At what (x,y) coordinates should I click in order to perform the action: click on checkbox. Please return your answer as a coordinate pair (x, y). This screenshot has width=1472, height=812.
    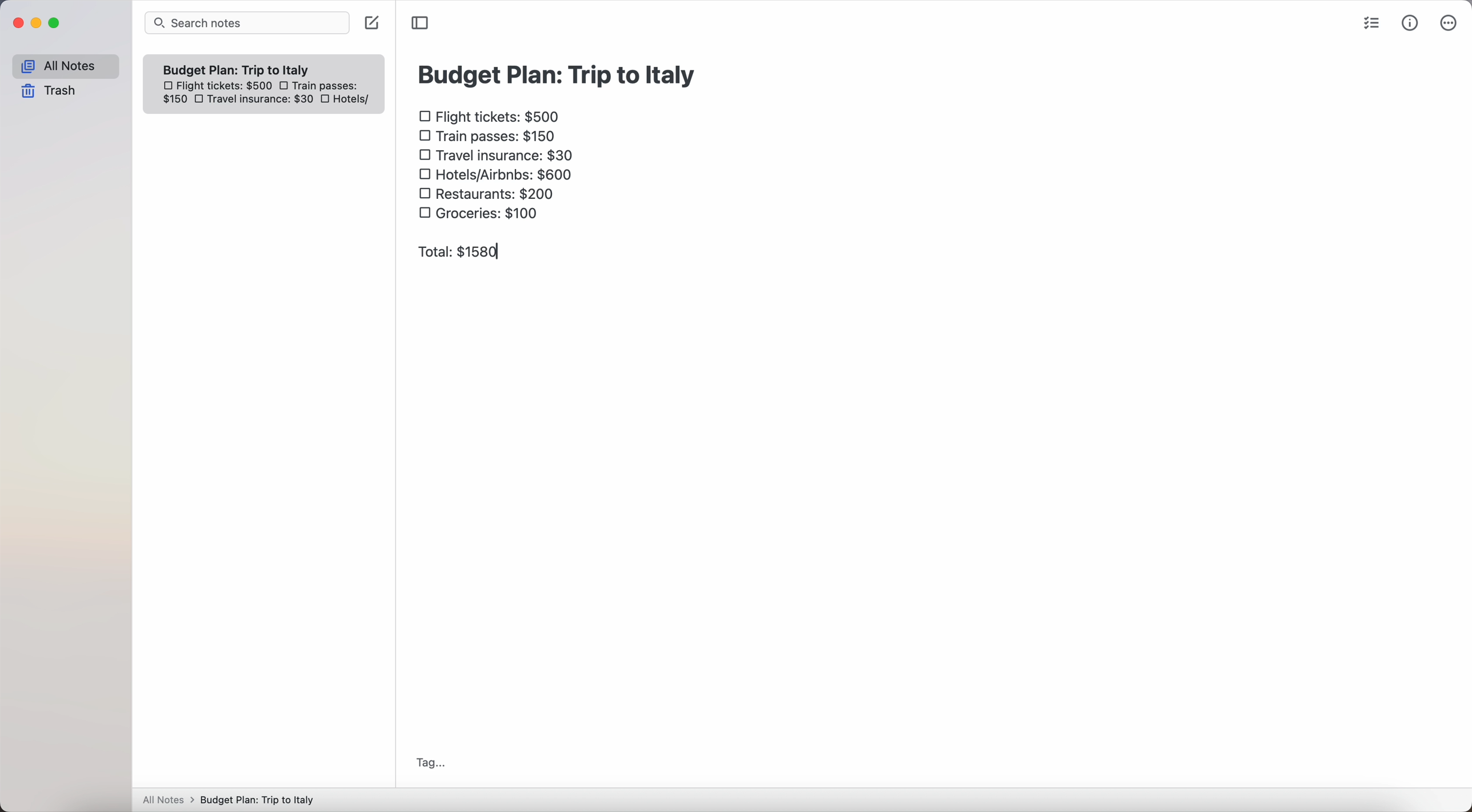
    Looking at the image, I should click on (286, 86).